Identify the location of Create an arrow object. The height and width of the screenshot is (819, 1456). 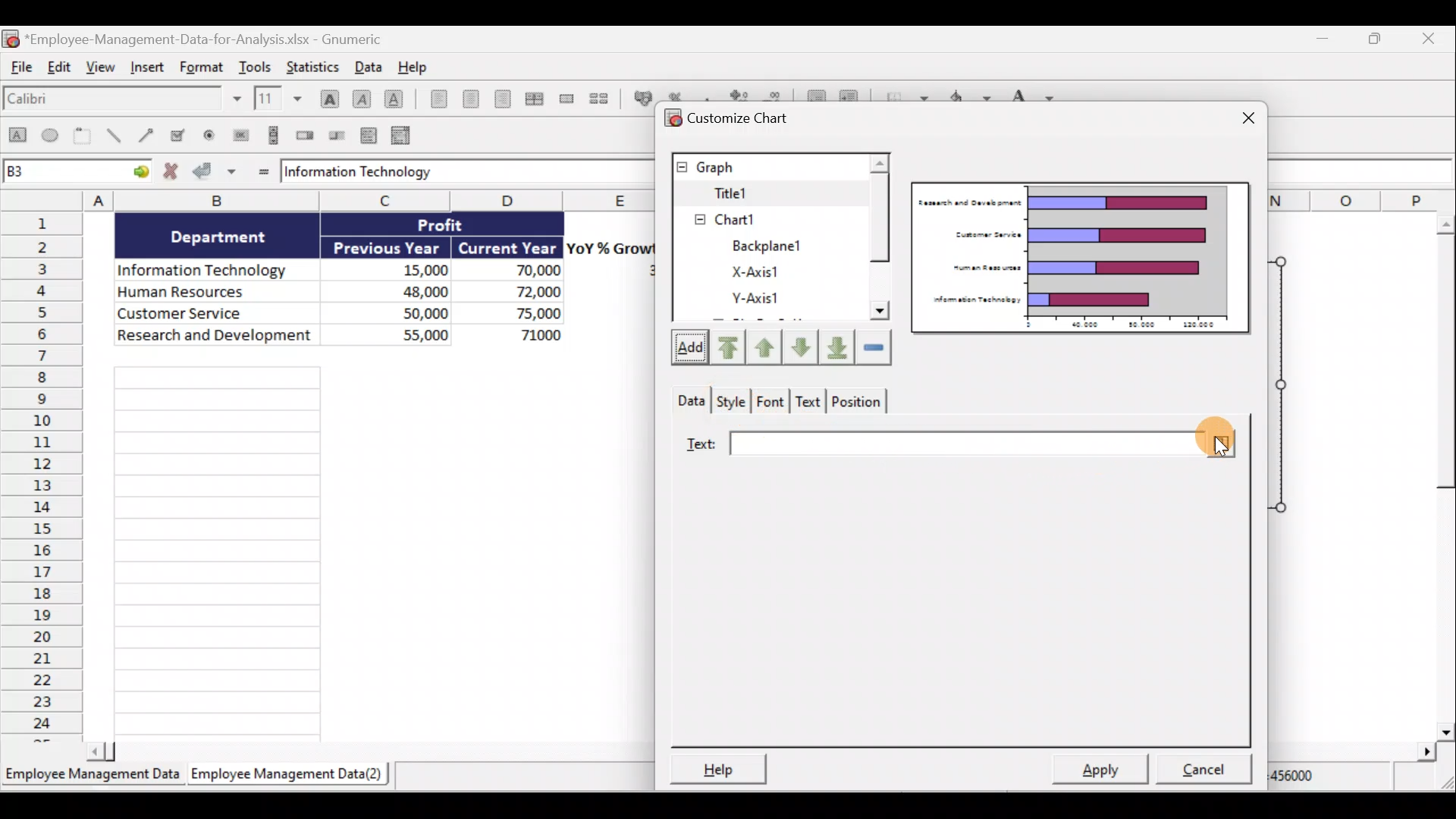
(149, 137).